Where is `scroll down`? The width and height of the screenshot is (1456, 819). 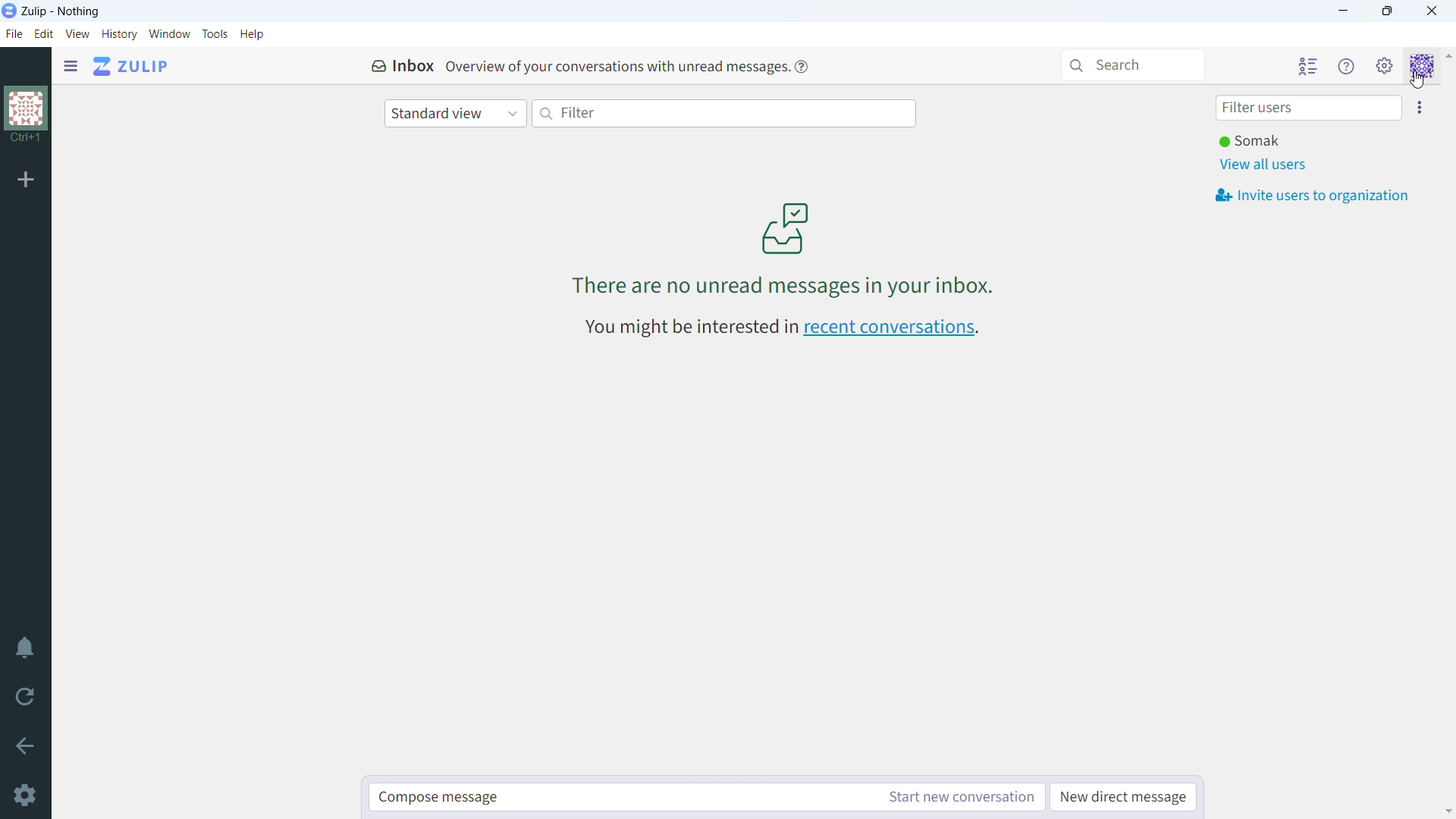 scroll down is located at coordinates (1447, 811).